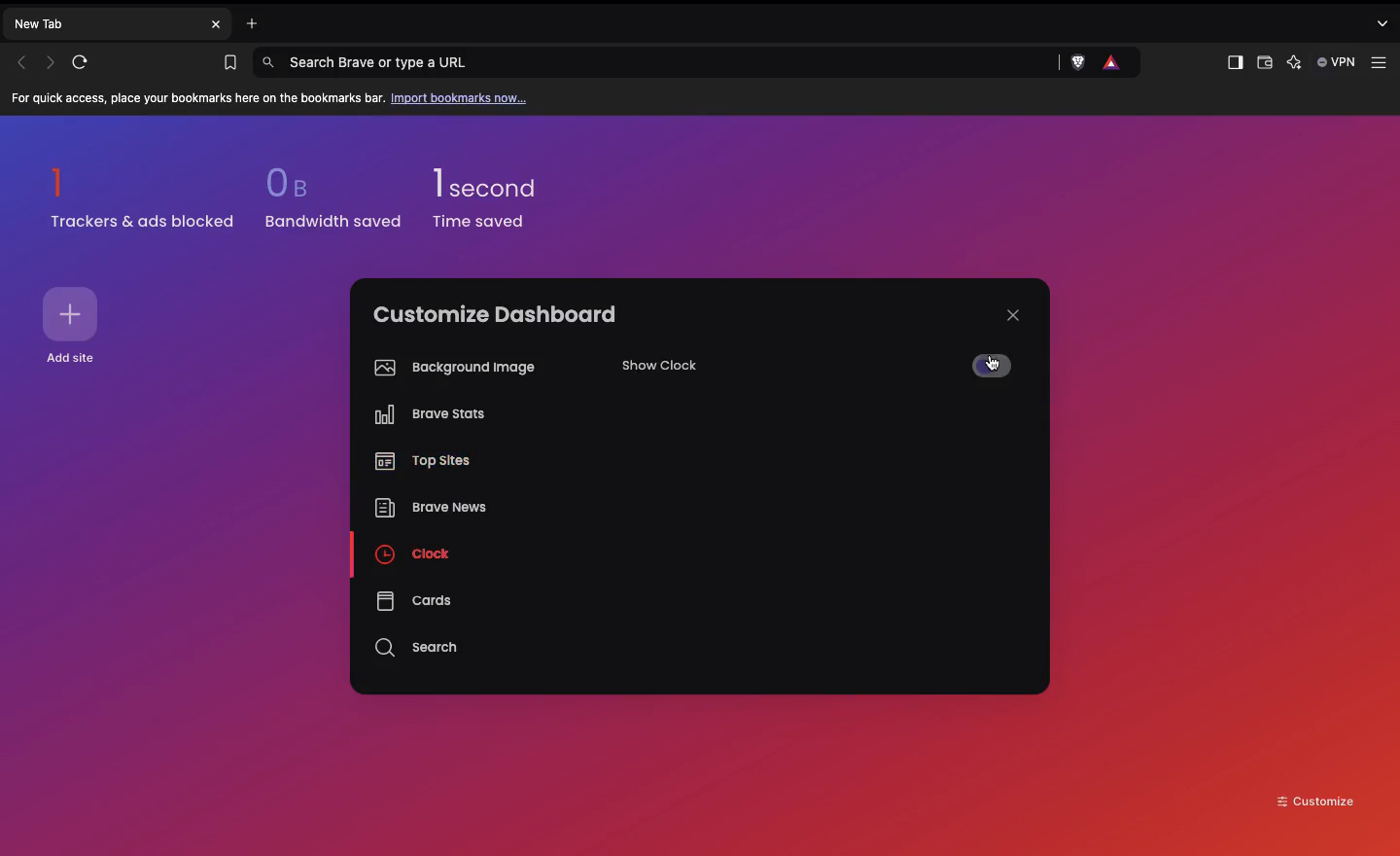  I want to click on For quick access, place your bookmarks here on the bookmarks bar., so click(198, 99).